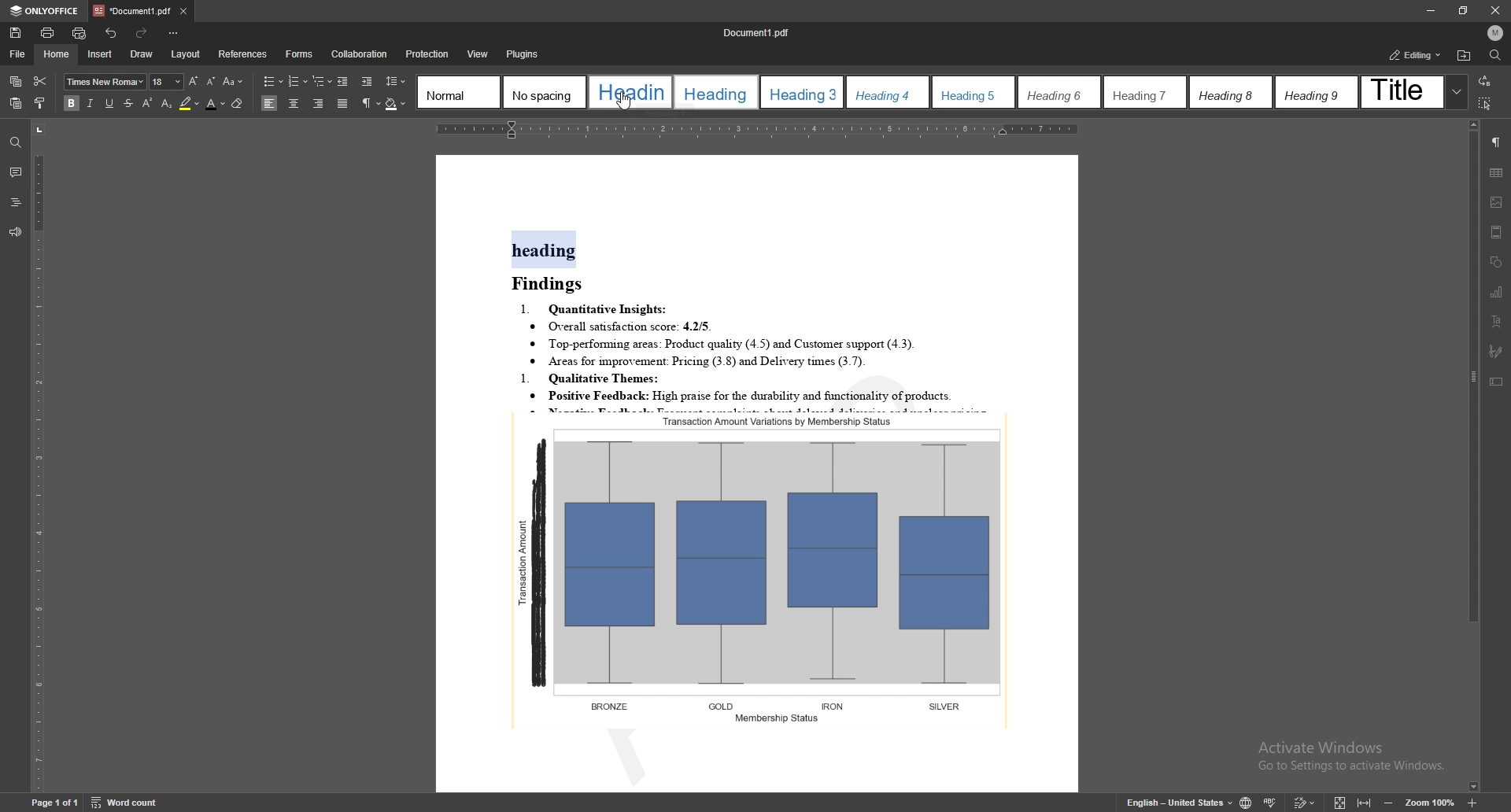 This screenshot has width=1511, height=812. Describe the element at coordinates (1464, 57) in the screenshot. I see `locate file` at that location.